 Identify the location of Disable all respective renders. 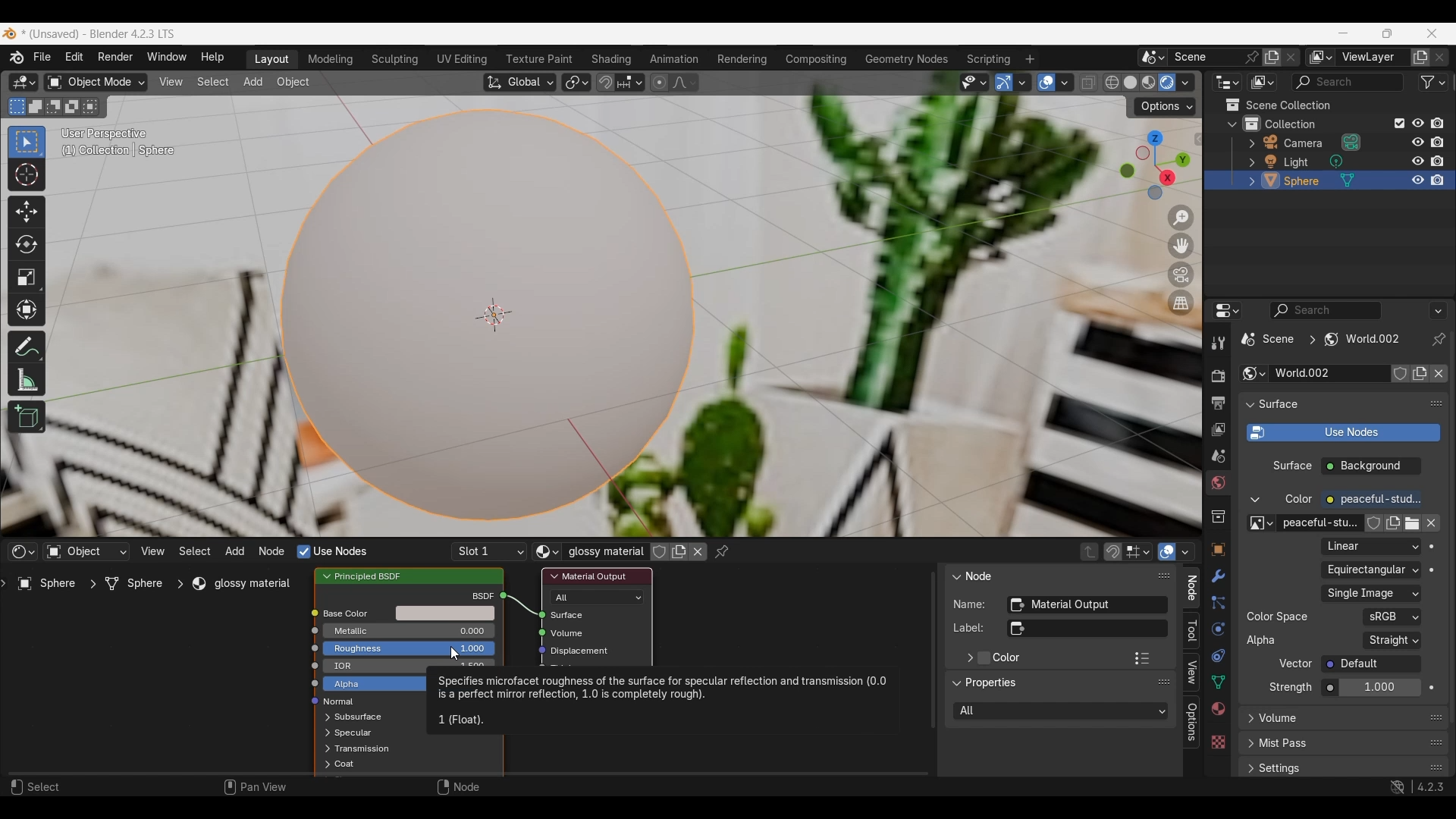
(1442, 123).